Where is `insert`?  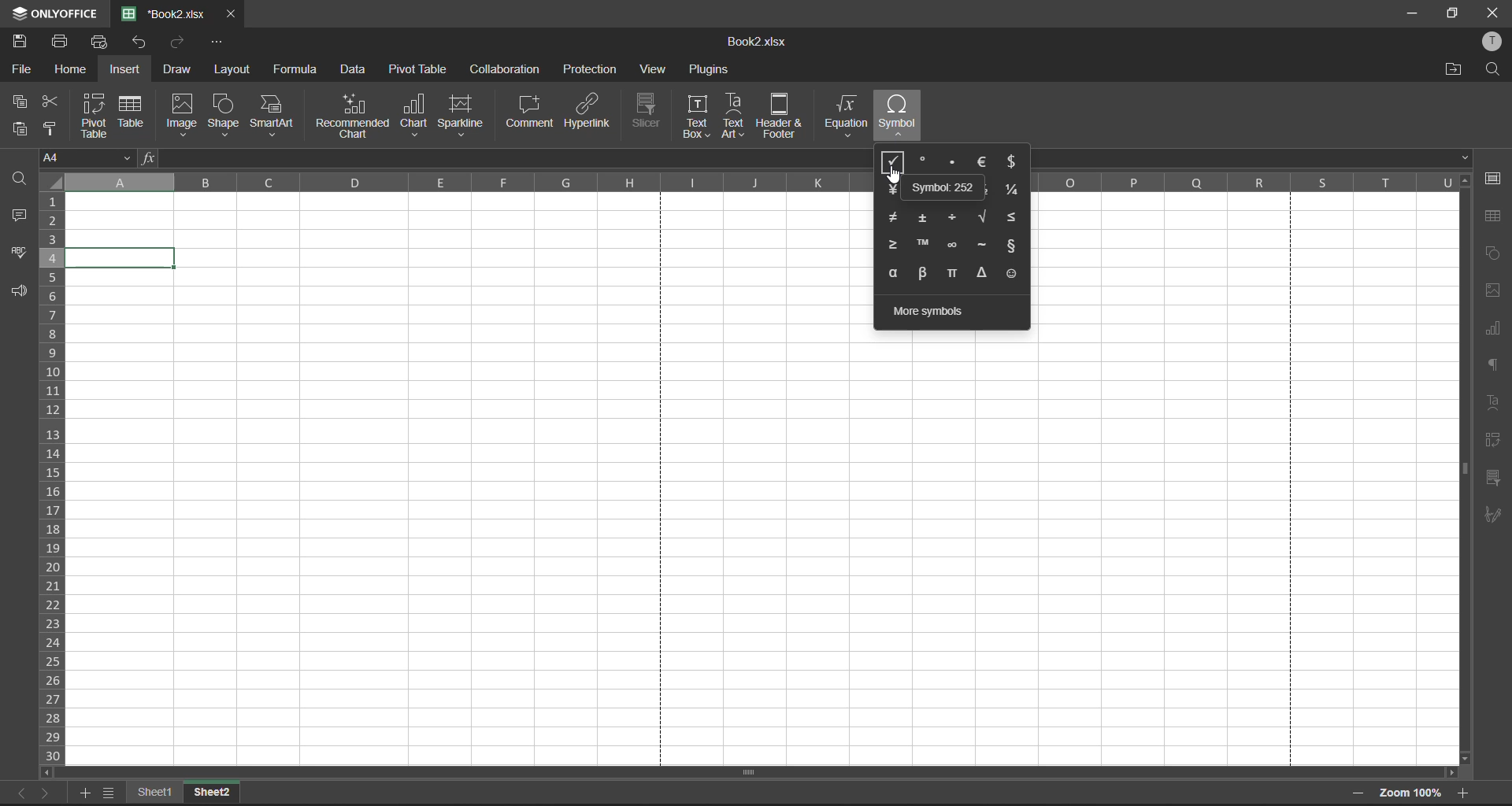 insert is located at coordinates (127, 70).